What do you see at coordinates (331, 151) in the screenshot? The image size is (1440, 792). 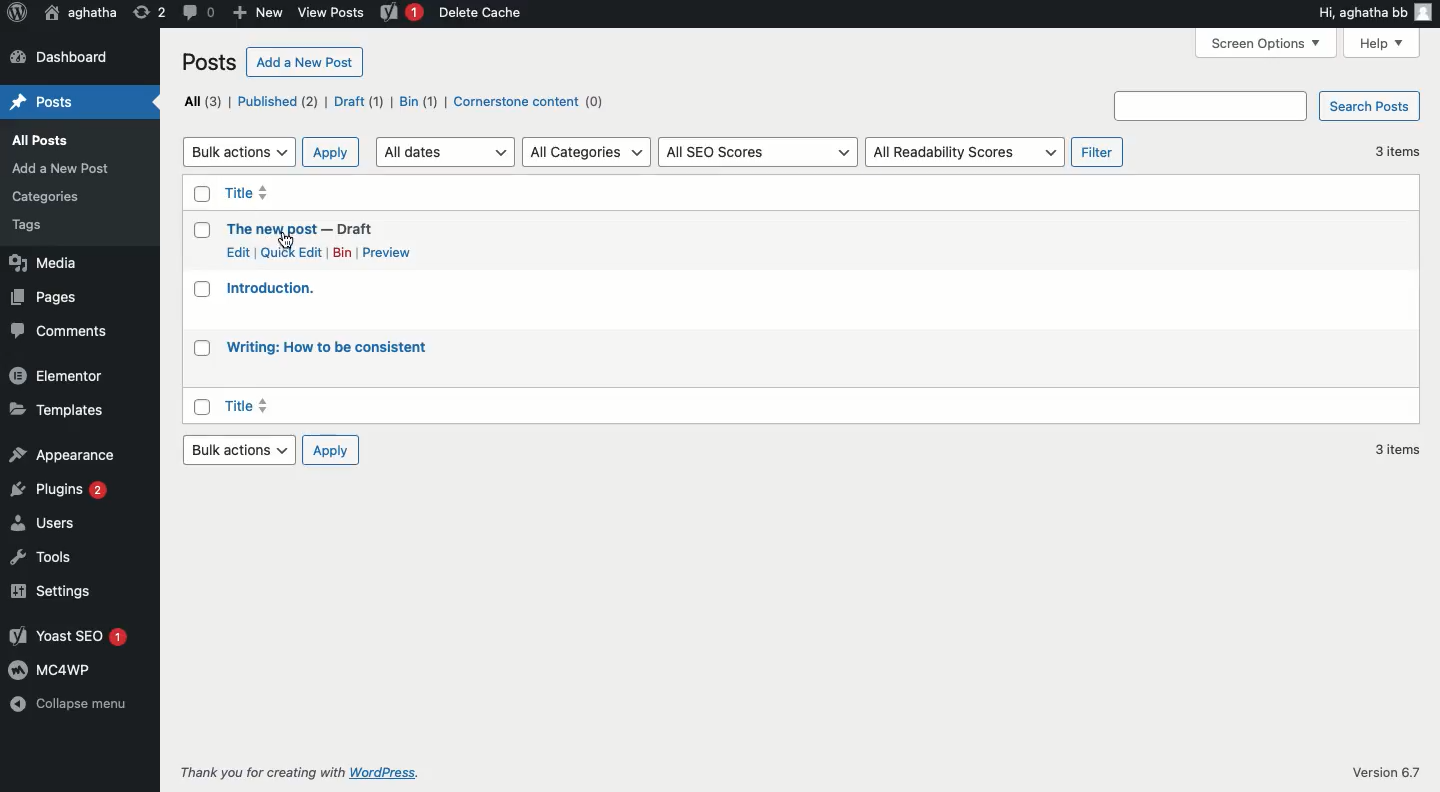 I see `Apply` at bounding box center [331, 151].